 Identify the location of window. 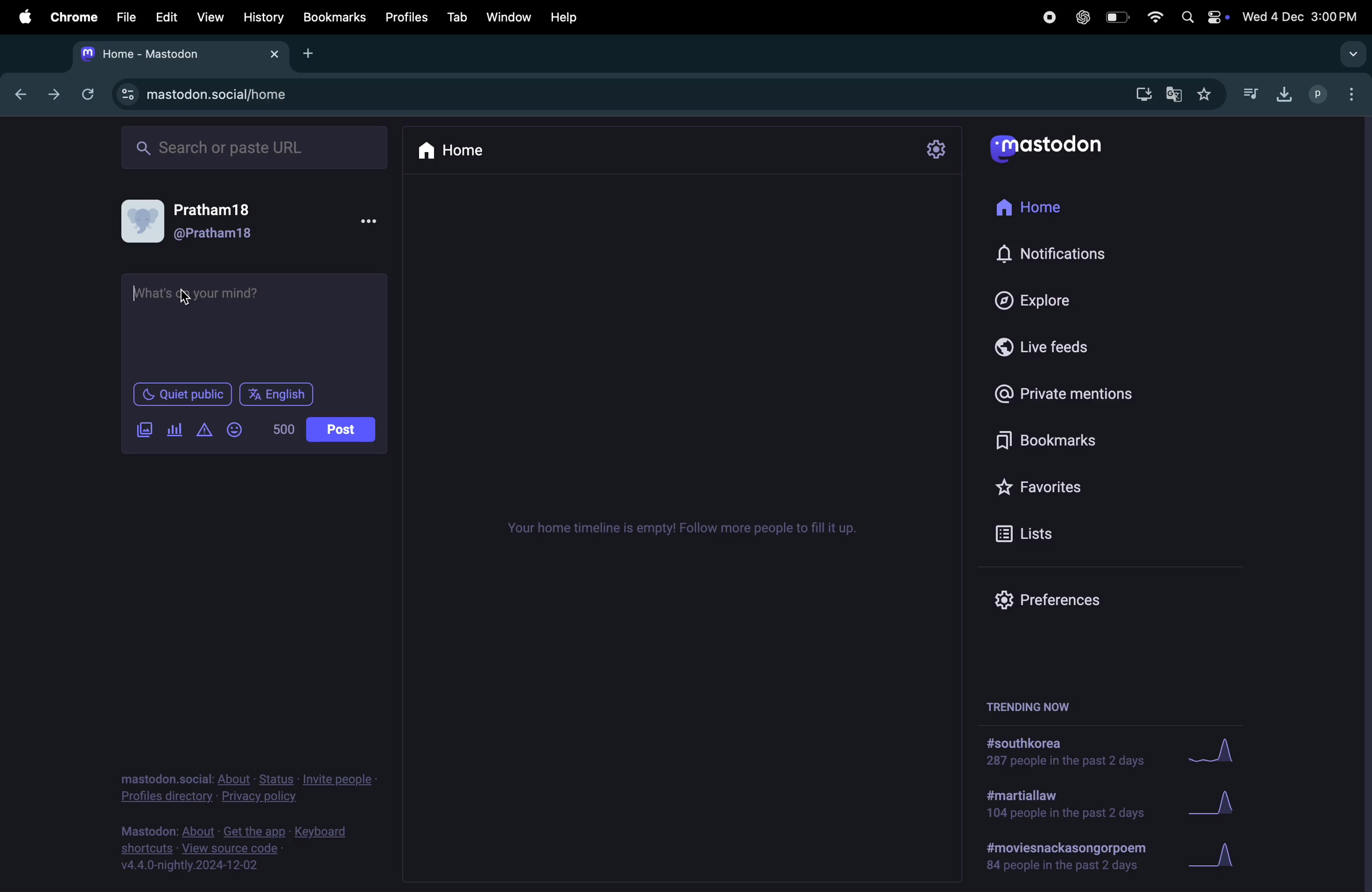
(507, 16).